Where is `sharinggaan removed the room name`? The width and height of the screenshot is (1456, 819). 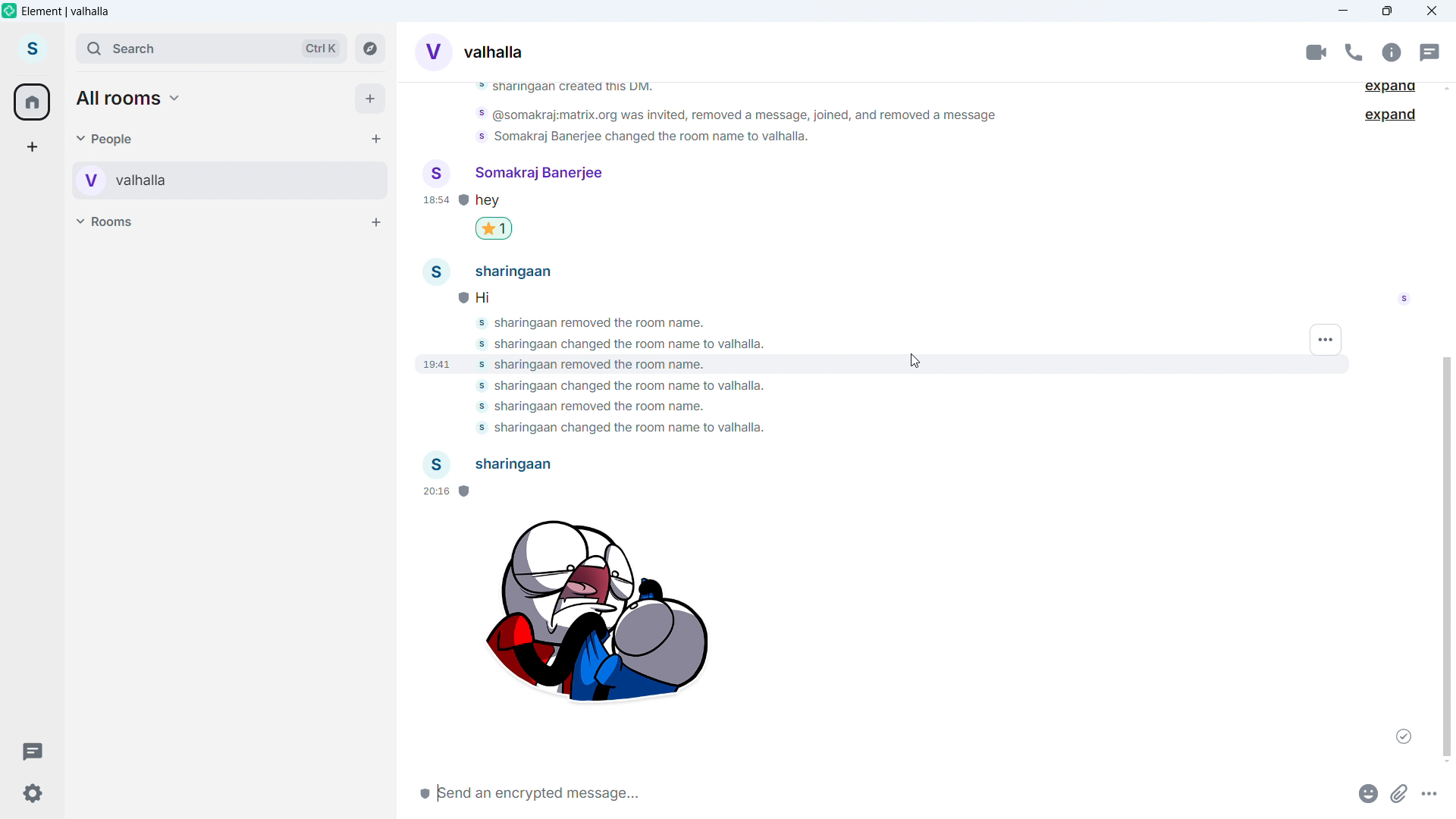 sharinggaan removed the room name is located at coordinates (611, 325).